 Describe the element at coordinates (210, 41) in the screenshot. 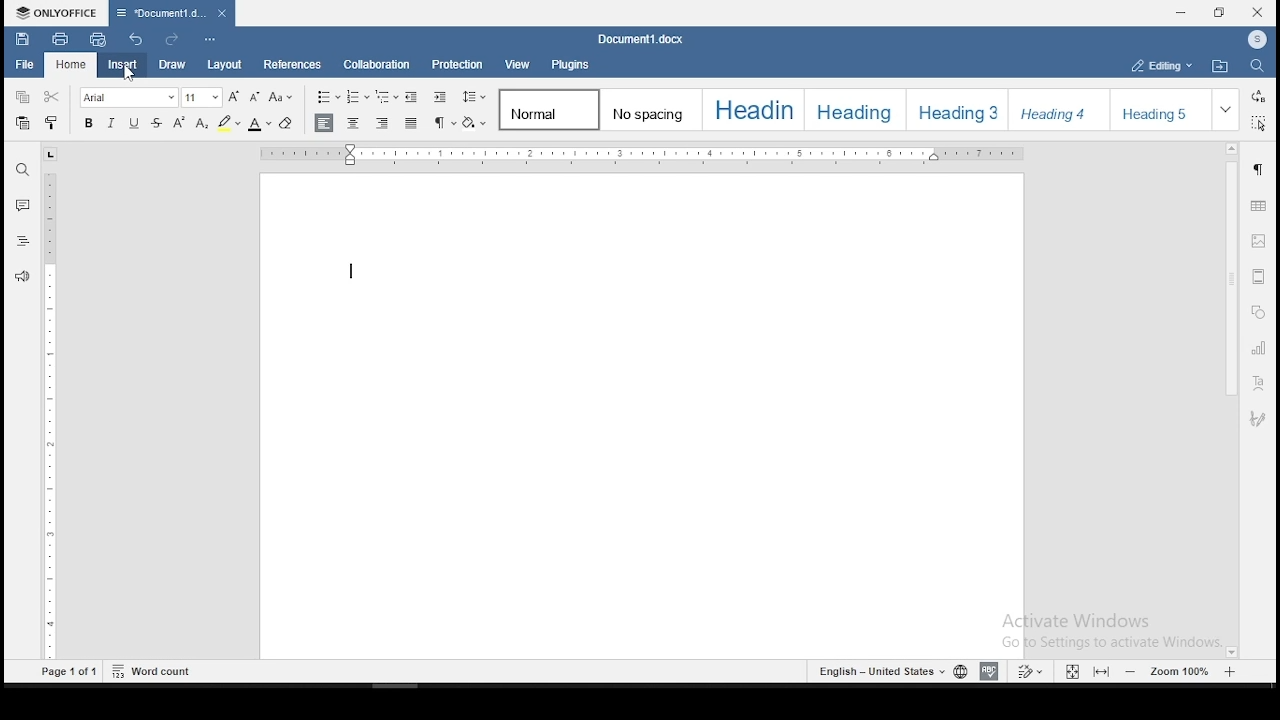

I see `customize quick toolbars` at that location.